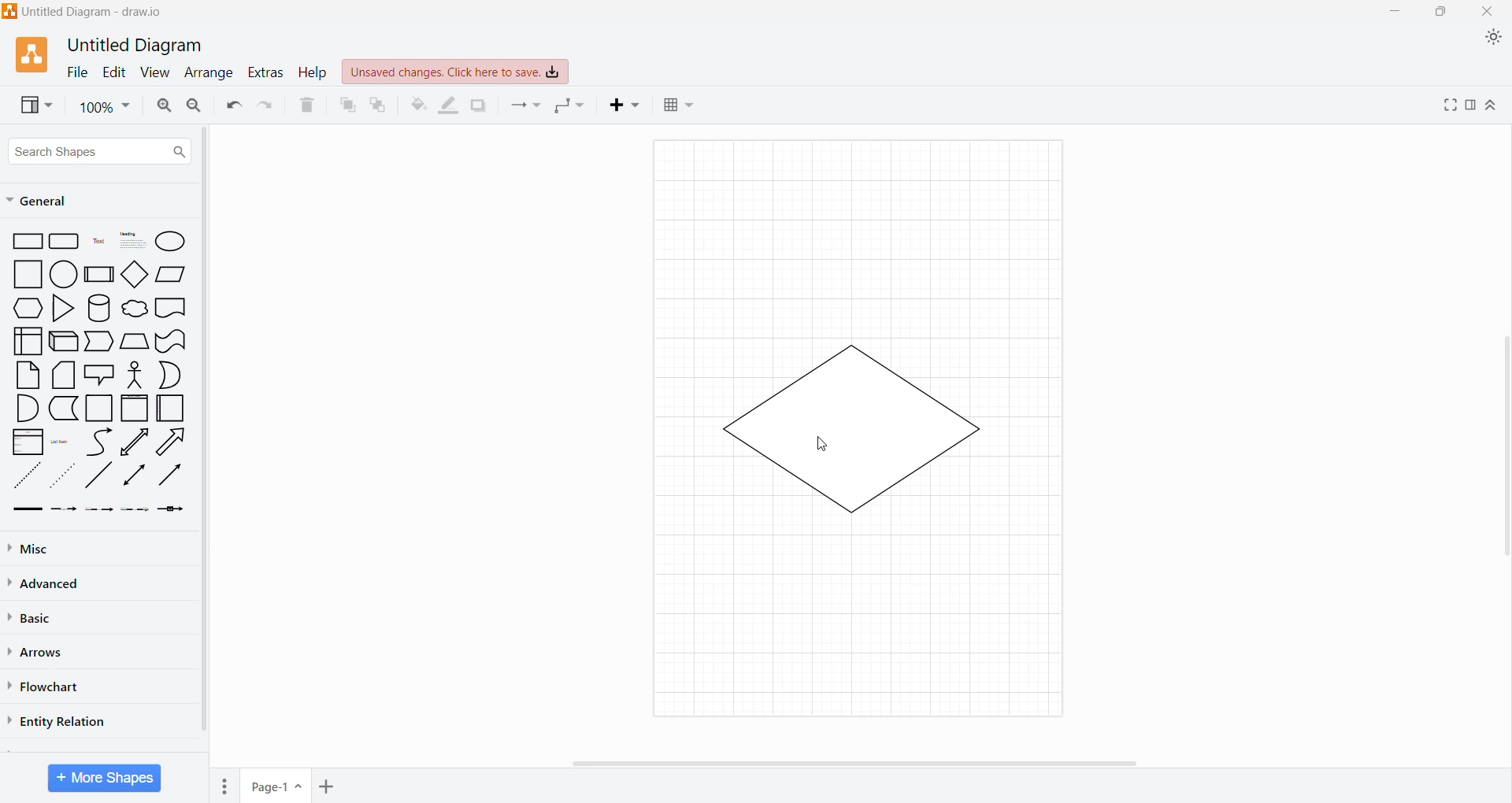 The width and height of the screenshot is (1512, 803). What do you see at coordinates (89, 11) in the screenshot?
I see `Untitled Diagram - draw.io` at bounding box center [89, 11].